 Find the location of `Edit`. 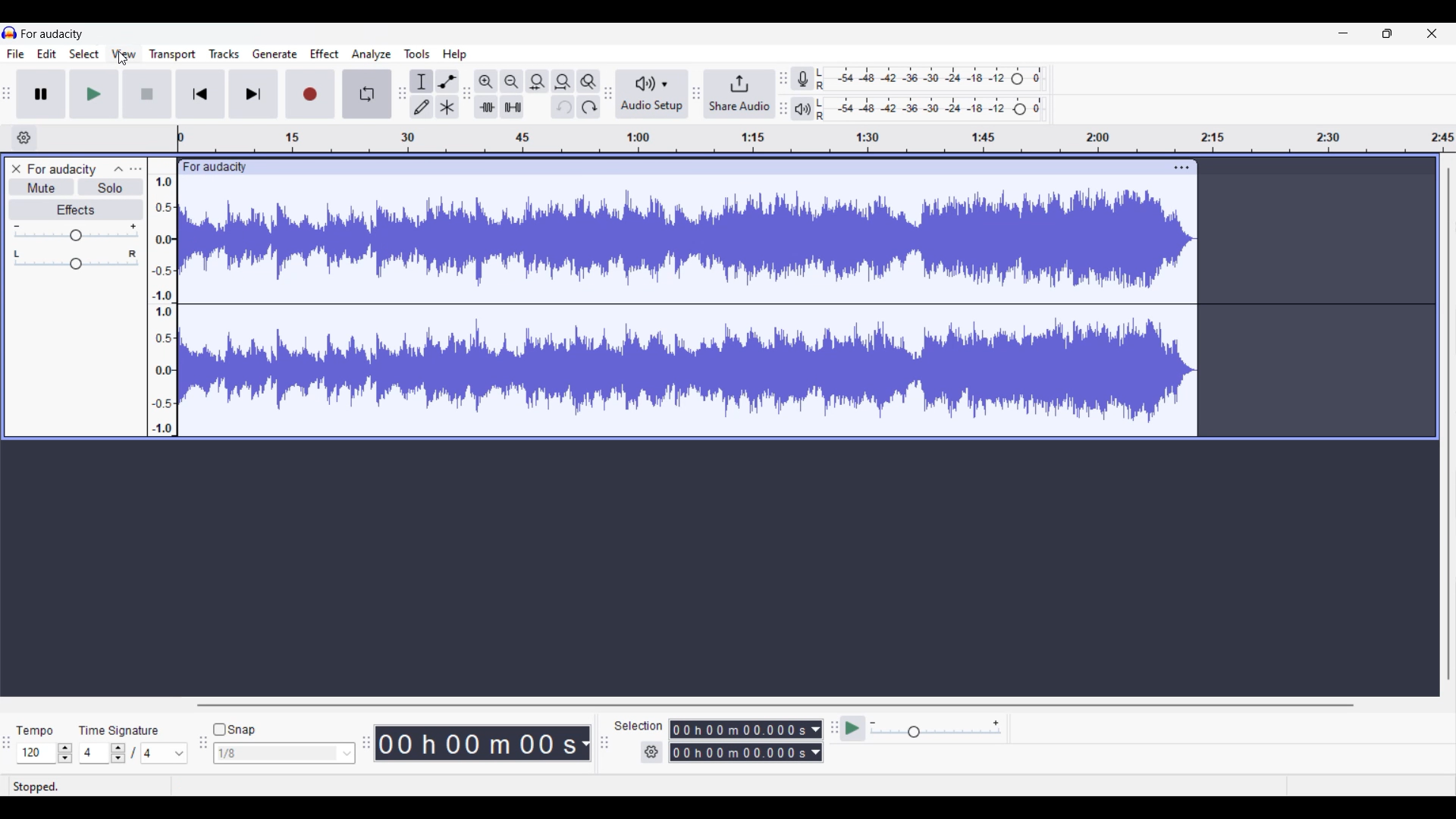

Edit is located at coordinates (47, 53).